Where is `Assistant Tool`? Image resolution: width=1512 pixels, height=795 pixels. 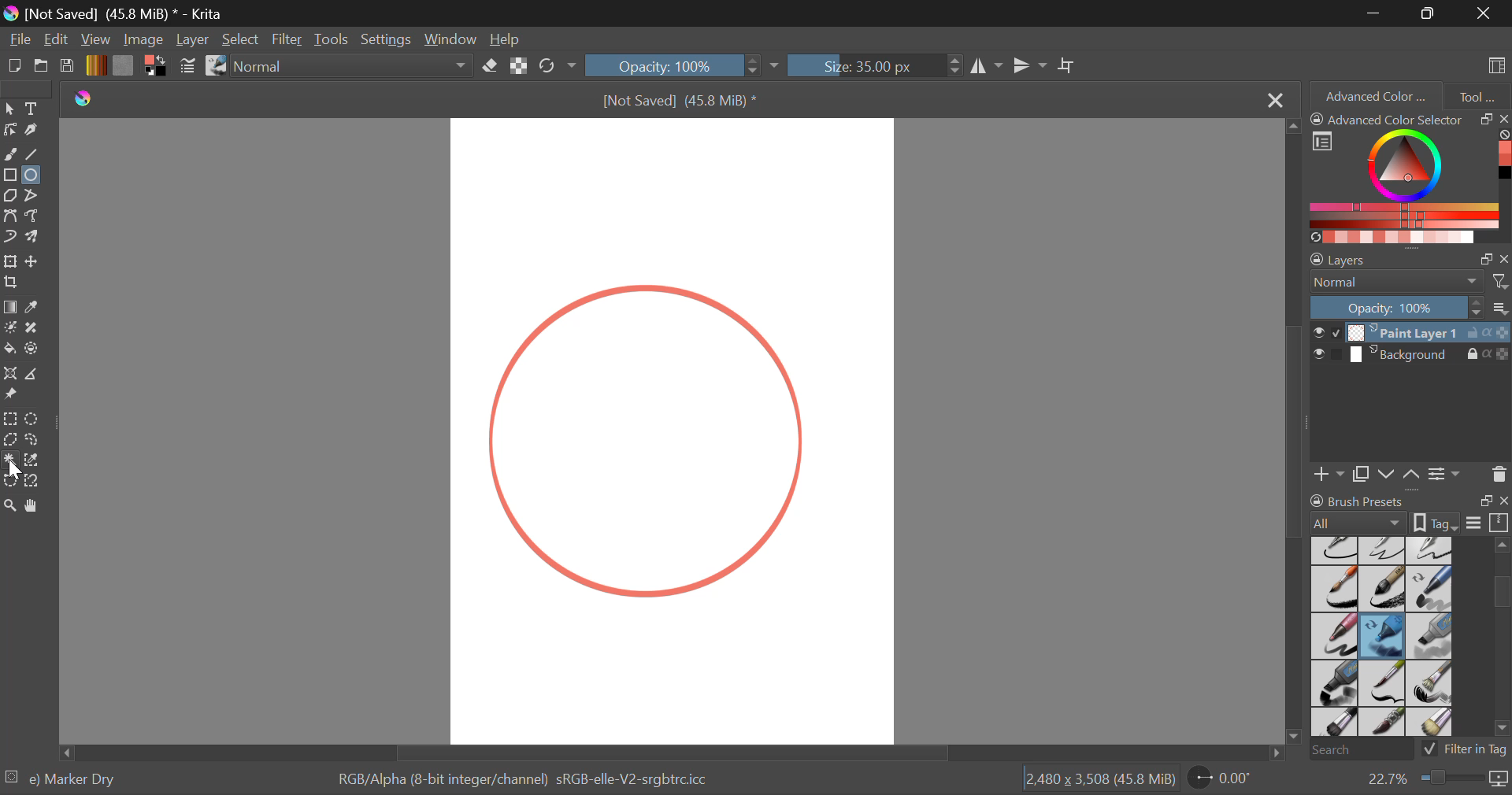
Assistant Tool is located at coordinates (11, 375).